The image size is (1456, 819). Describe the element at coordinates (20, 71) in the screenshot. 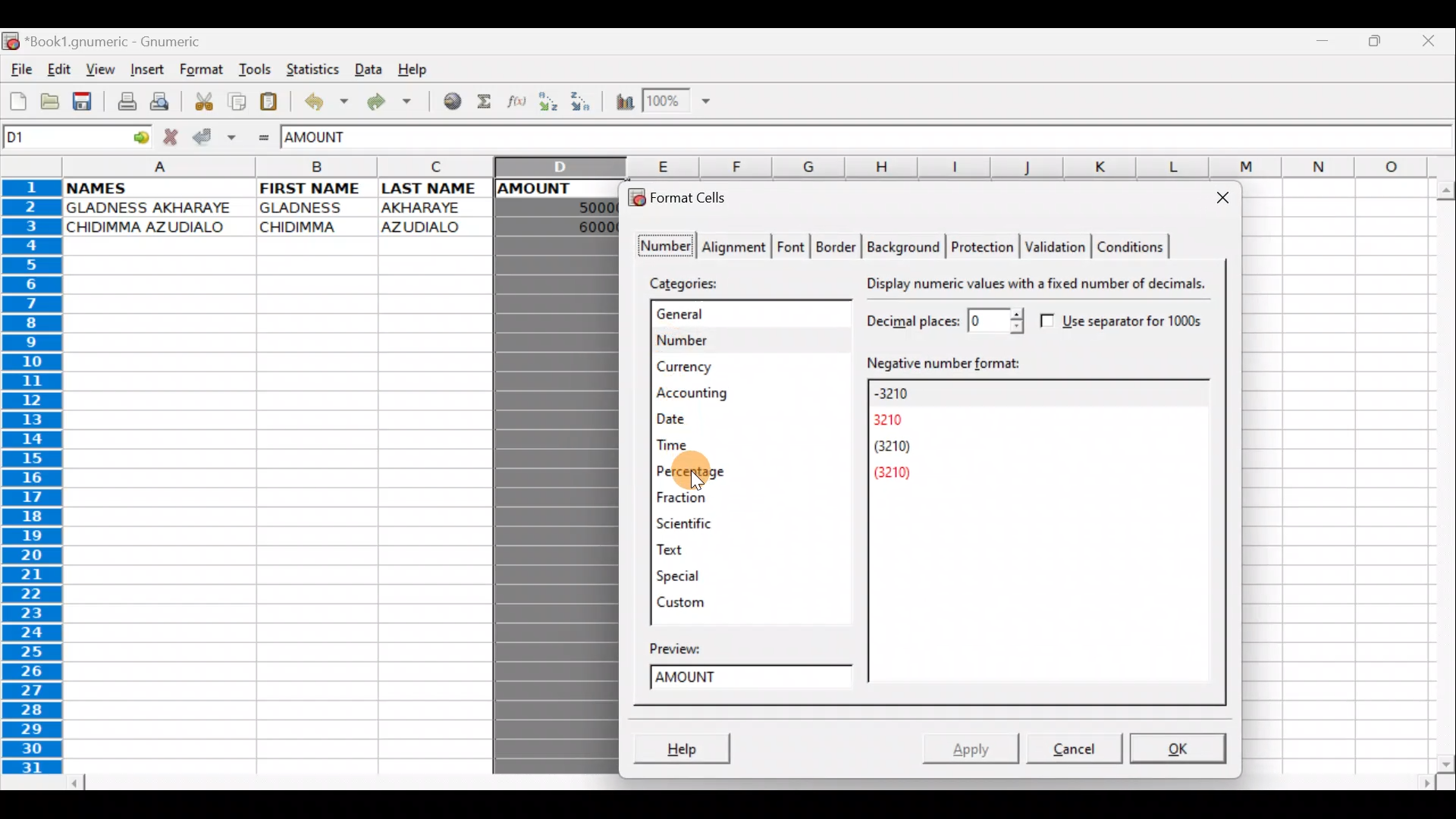

I see `File` at that location.